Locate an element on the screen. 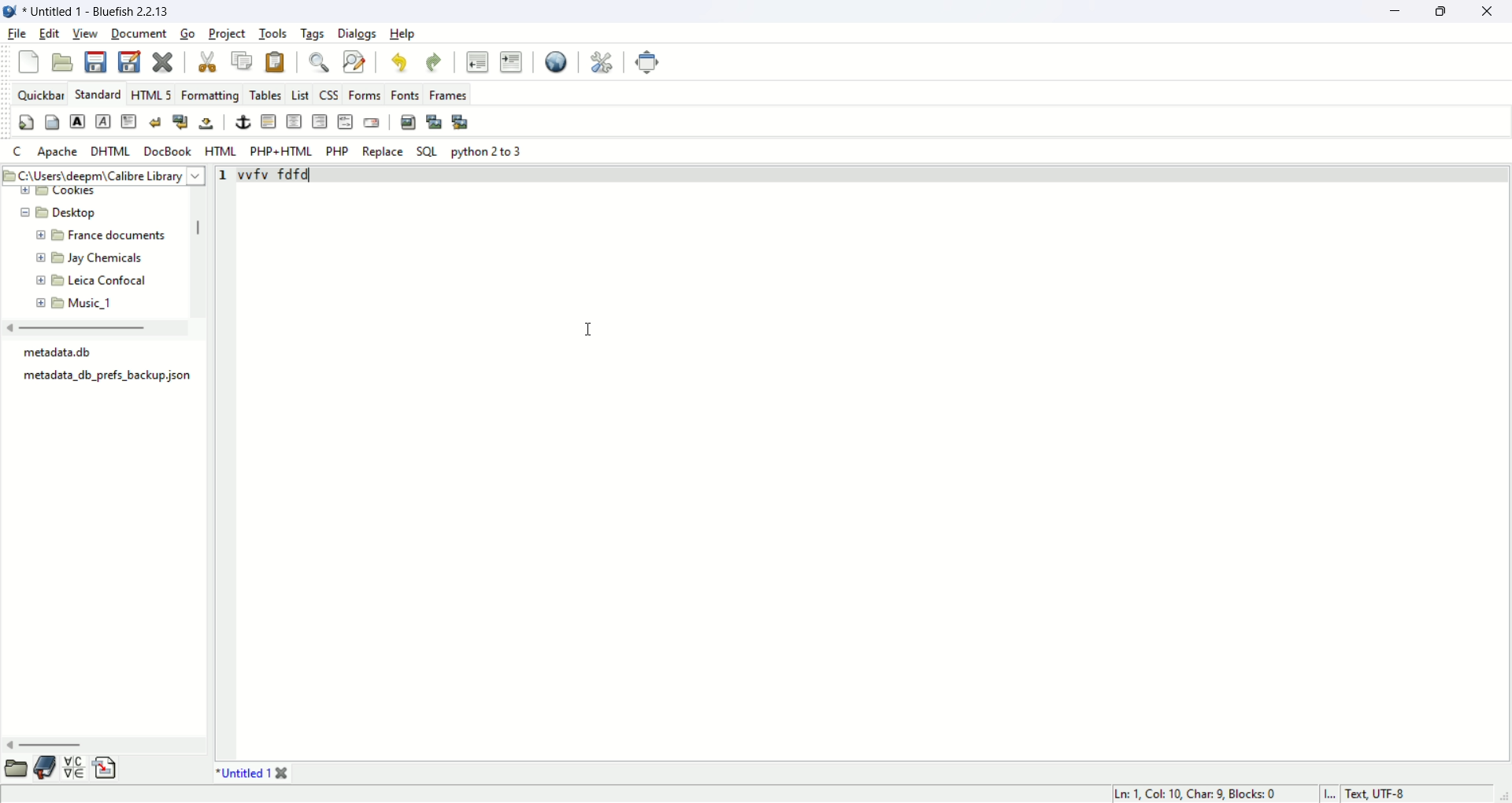  document is located at coordinates (137, 35).